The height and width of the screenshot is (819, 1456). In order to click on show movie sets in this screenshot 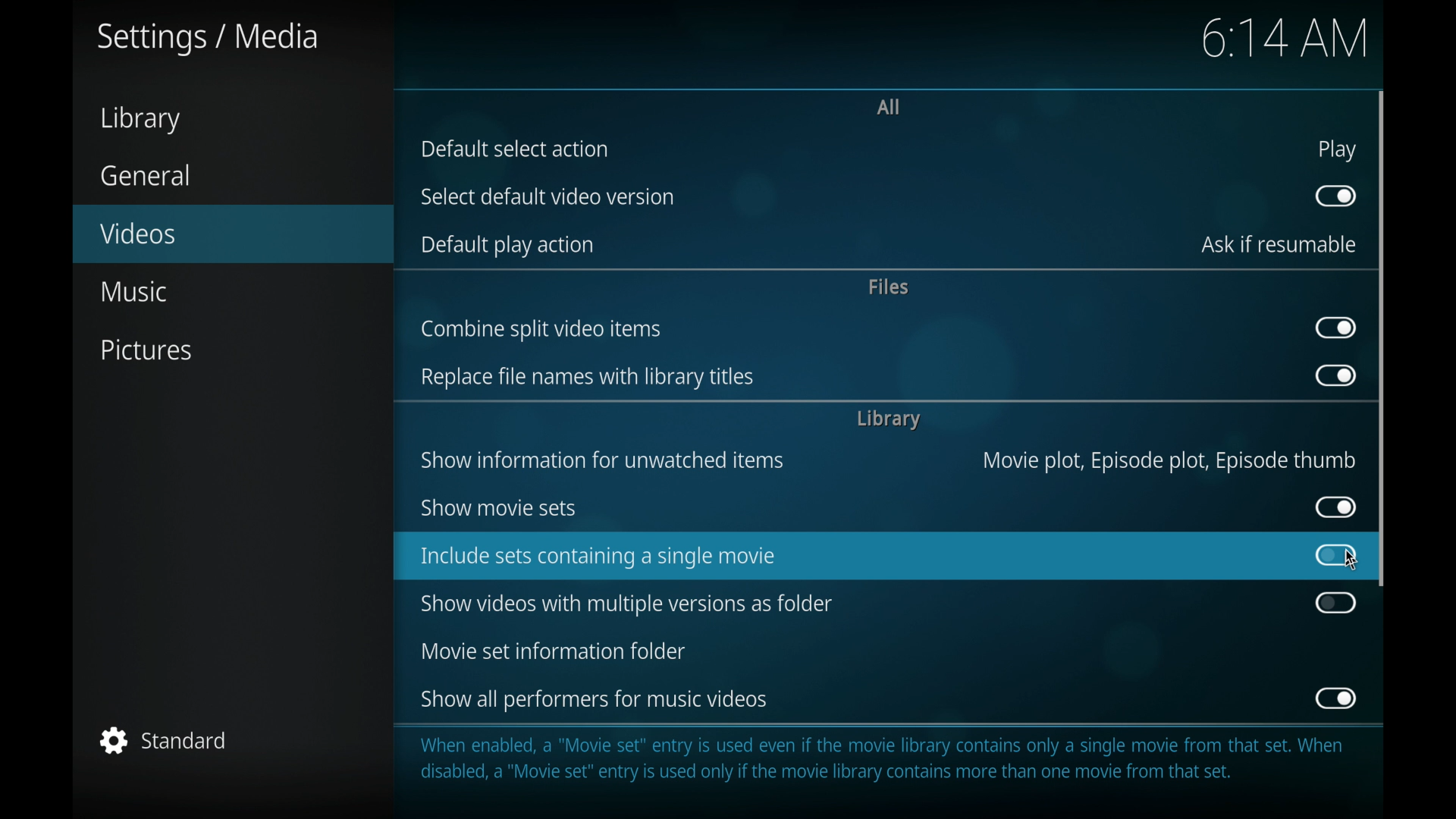, I will do `click(499, 509)`.